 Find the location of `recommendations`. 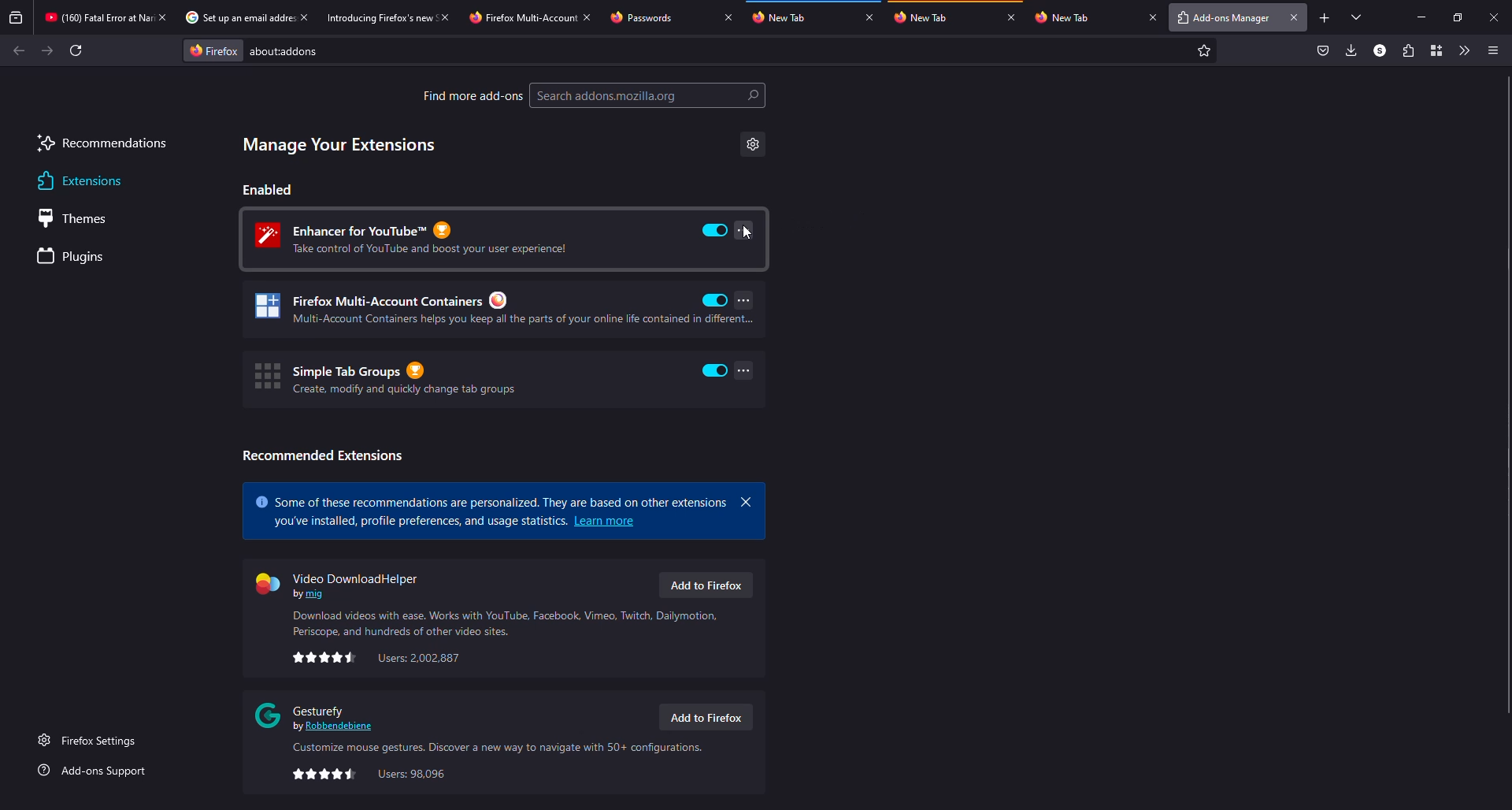

recommendations is located at coordinates (102, 145).